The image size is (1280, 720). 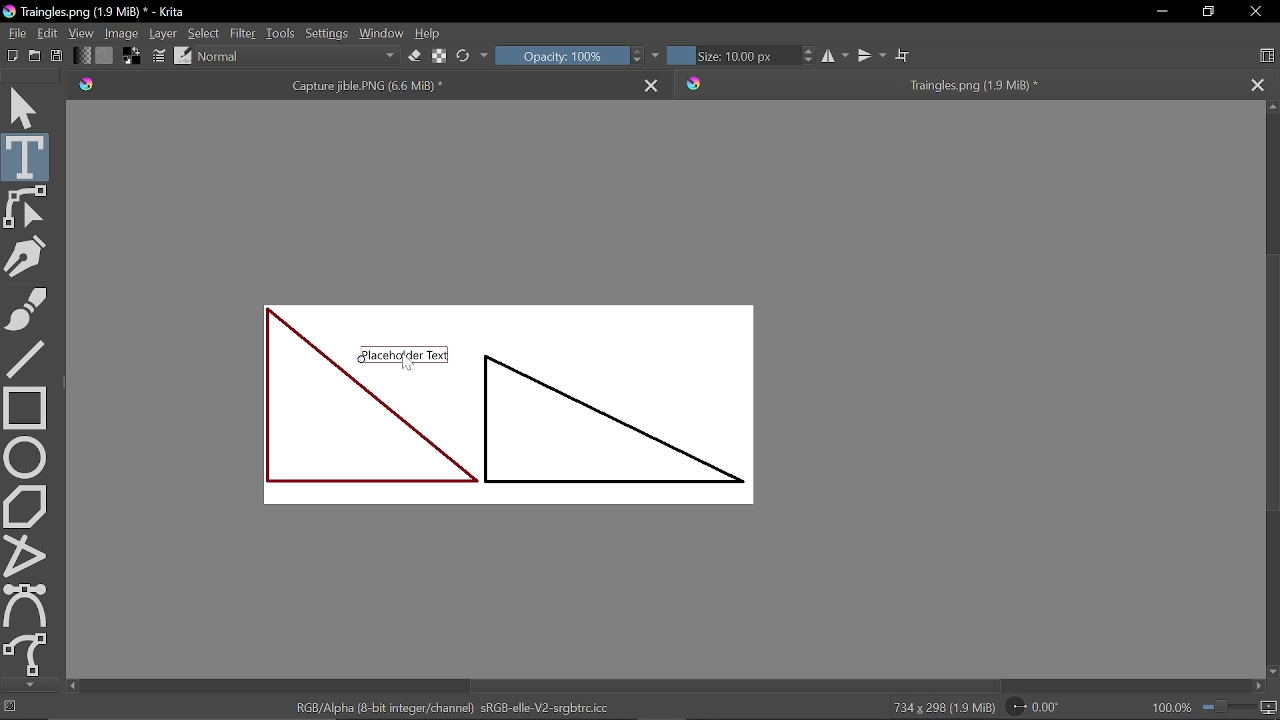 I want to click on Help, so click(x=430, y=32).